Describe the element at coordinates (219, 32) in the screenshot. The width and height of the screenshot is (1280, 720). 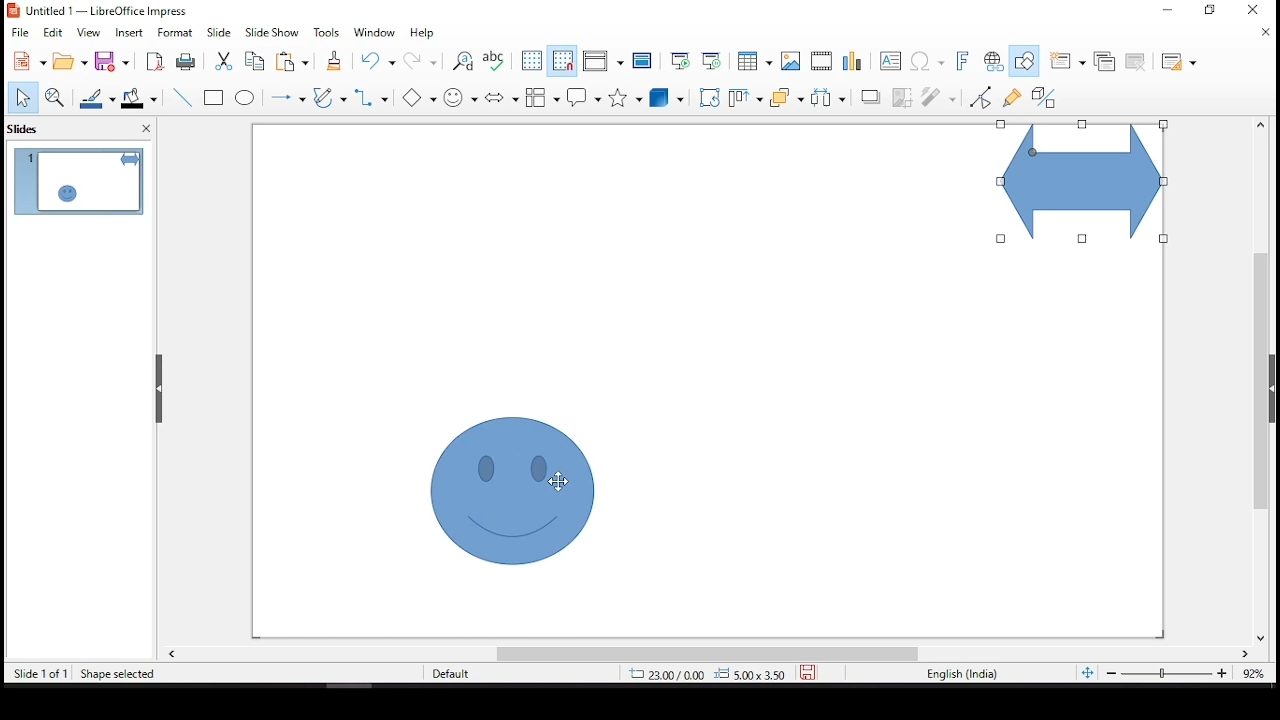
I see `slide` at that location.